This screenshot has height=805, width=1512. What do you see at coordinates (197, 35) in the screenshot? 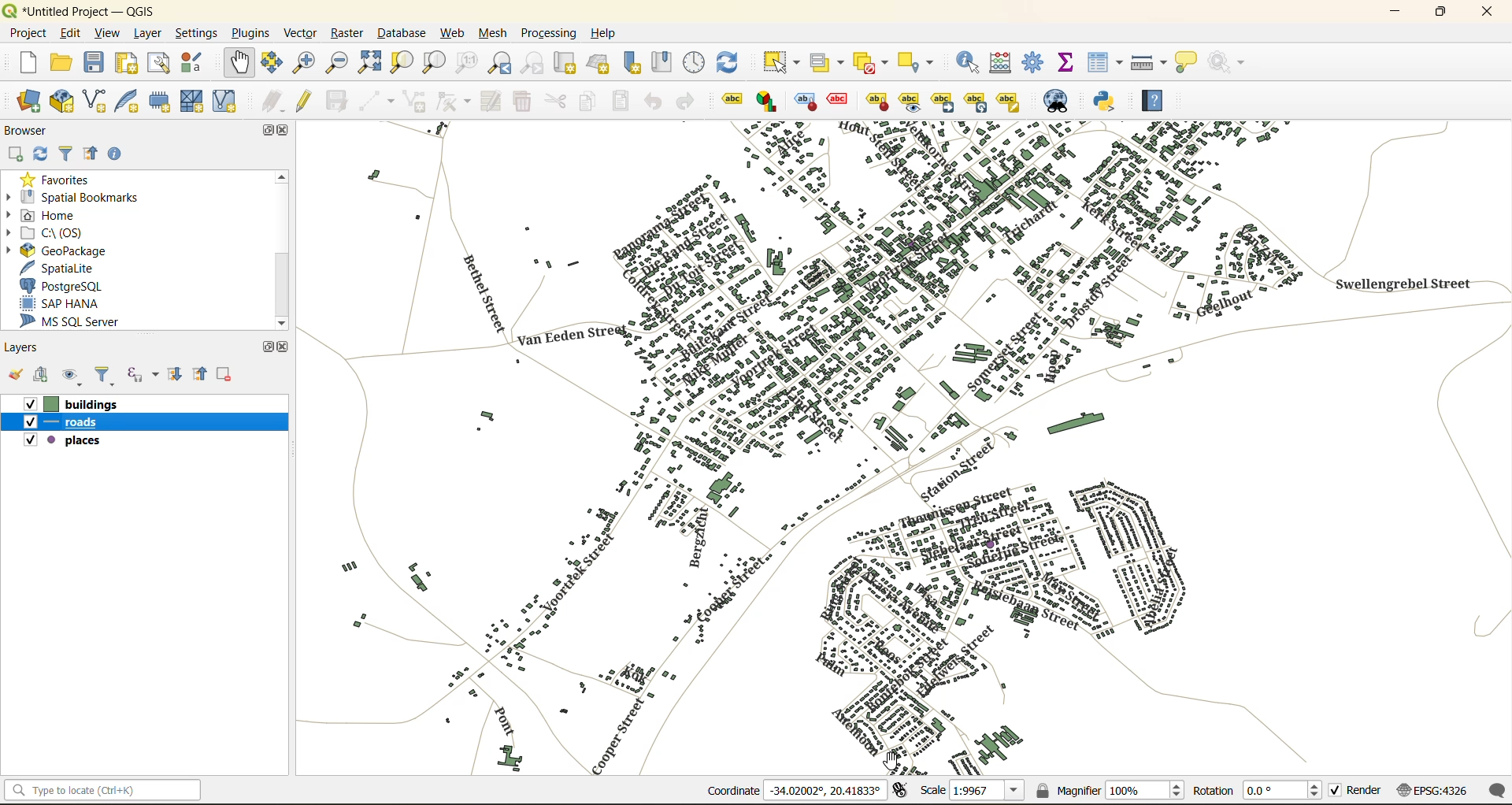
I see `settings` at bounding box center [197, 35].